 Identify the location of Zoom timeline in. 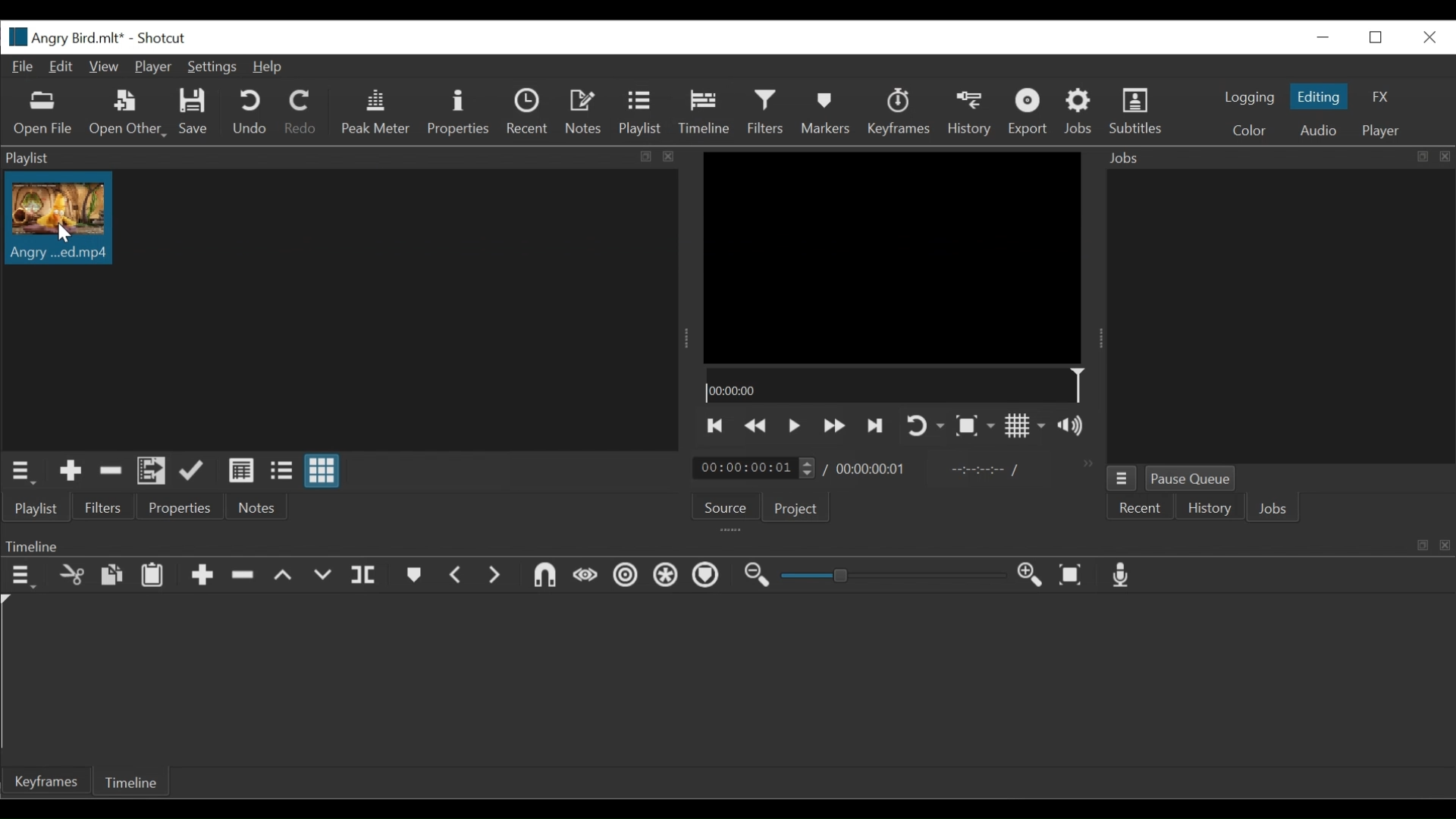
(1031, 575).